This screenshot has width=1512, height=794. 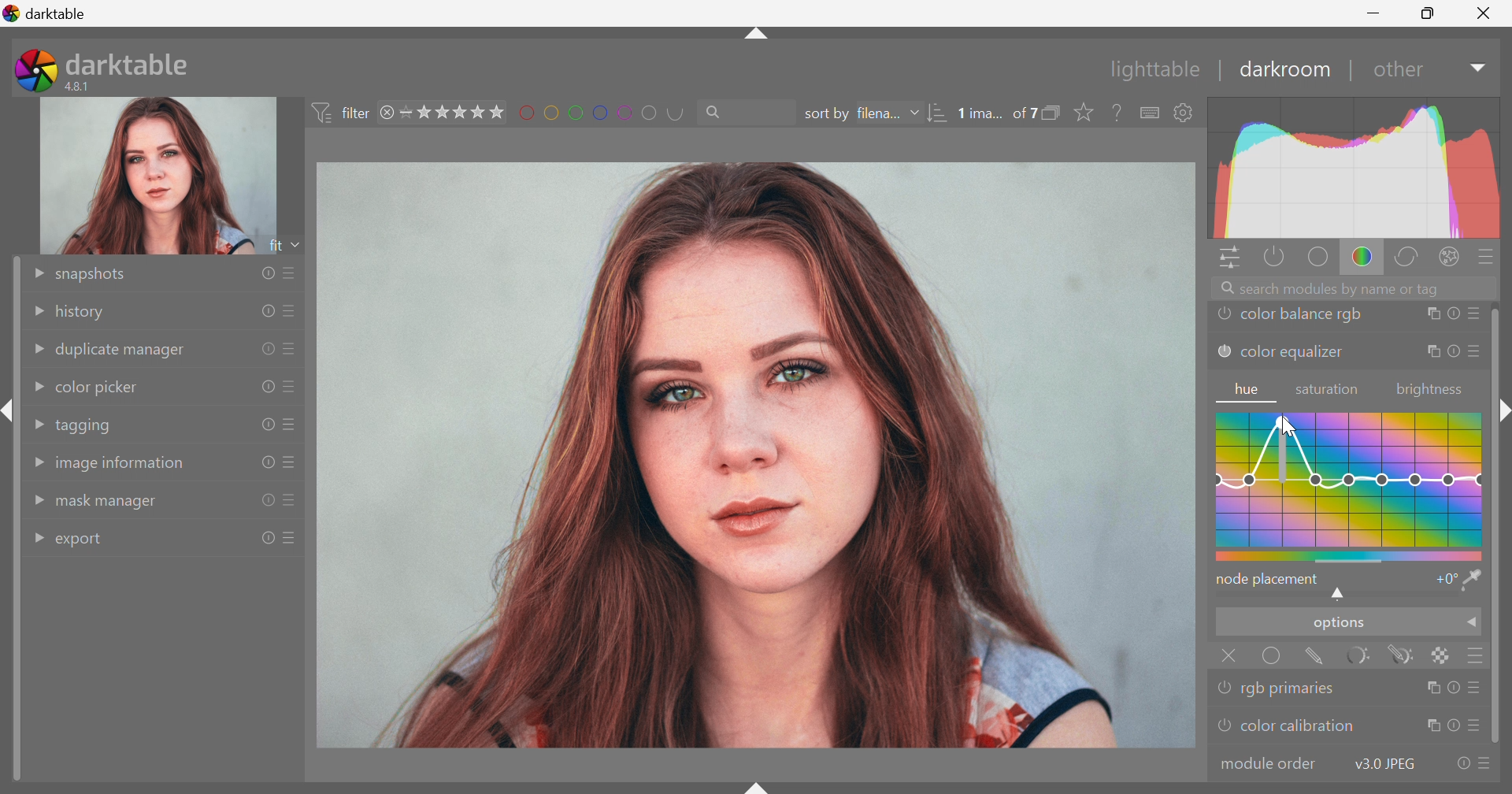 What do you see at coordinates (1412, 258) in the screenshot?
I see `correct` at bounding box center [1412, 258].